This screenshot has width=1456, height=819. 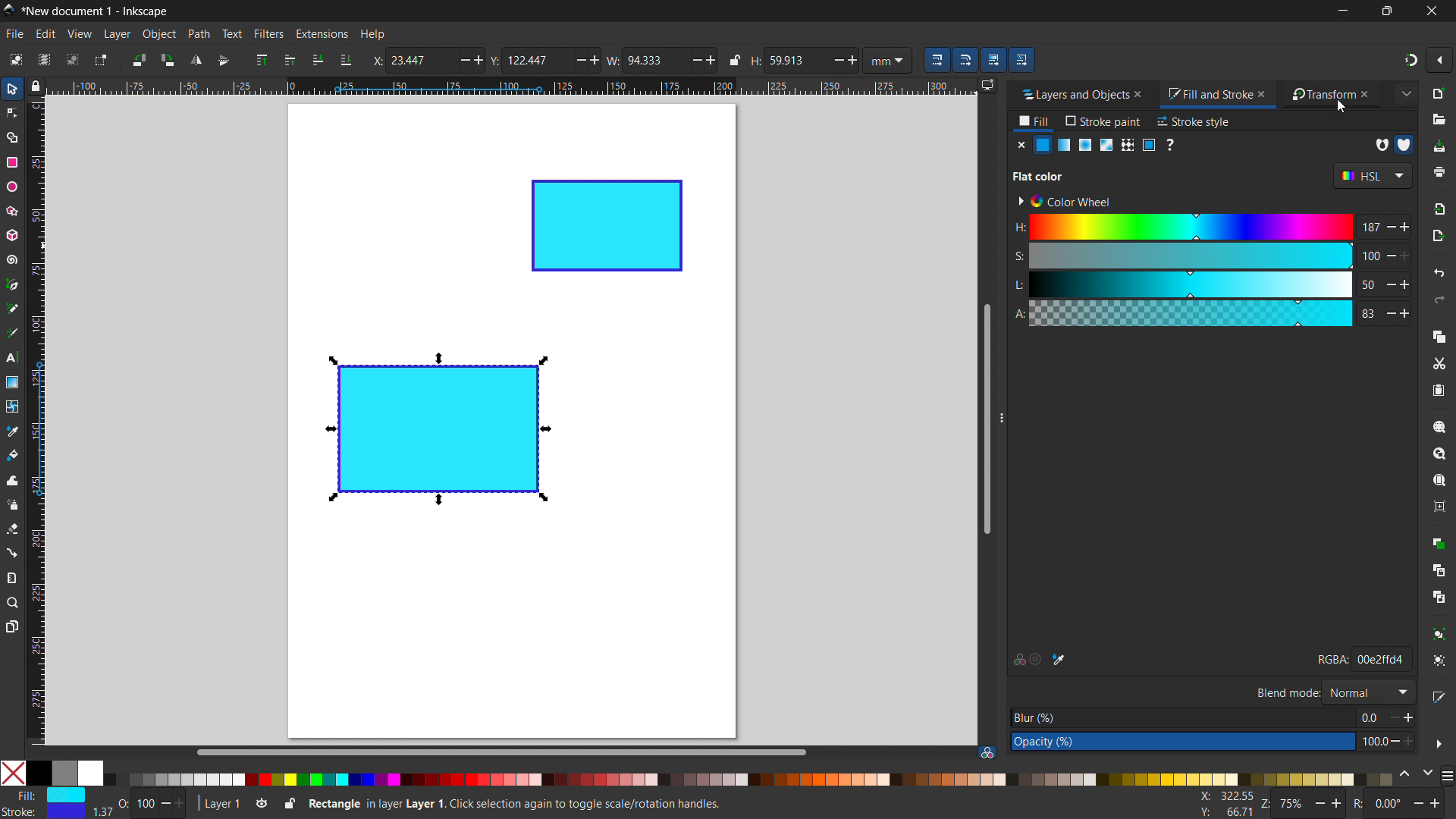 I want to click on pages tool, so click(x=13, y=626).